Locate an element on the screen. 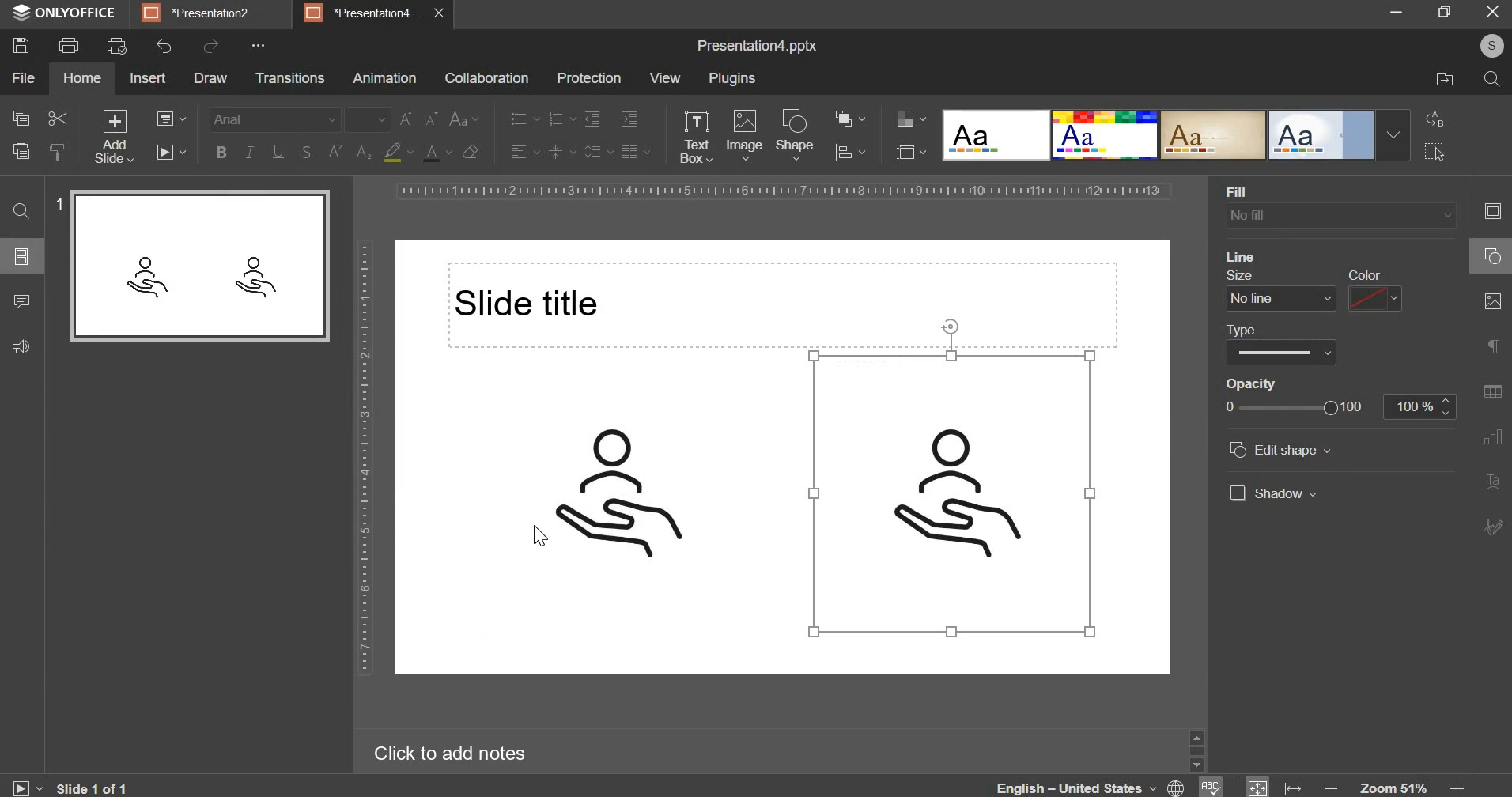  image  is located at coordinates (951, 493).